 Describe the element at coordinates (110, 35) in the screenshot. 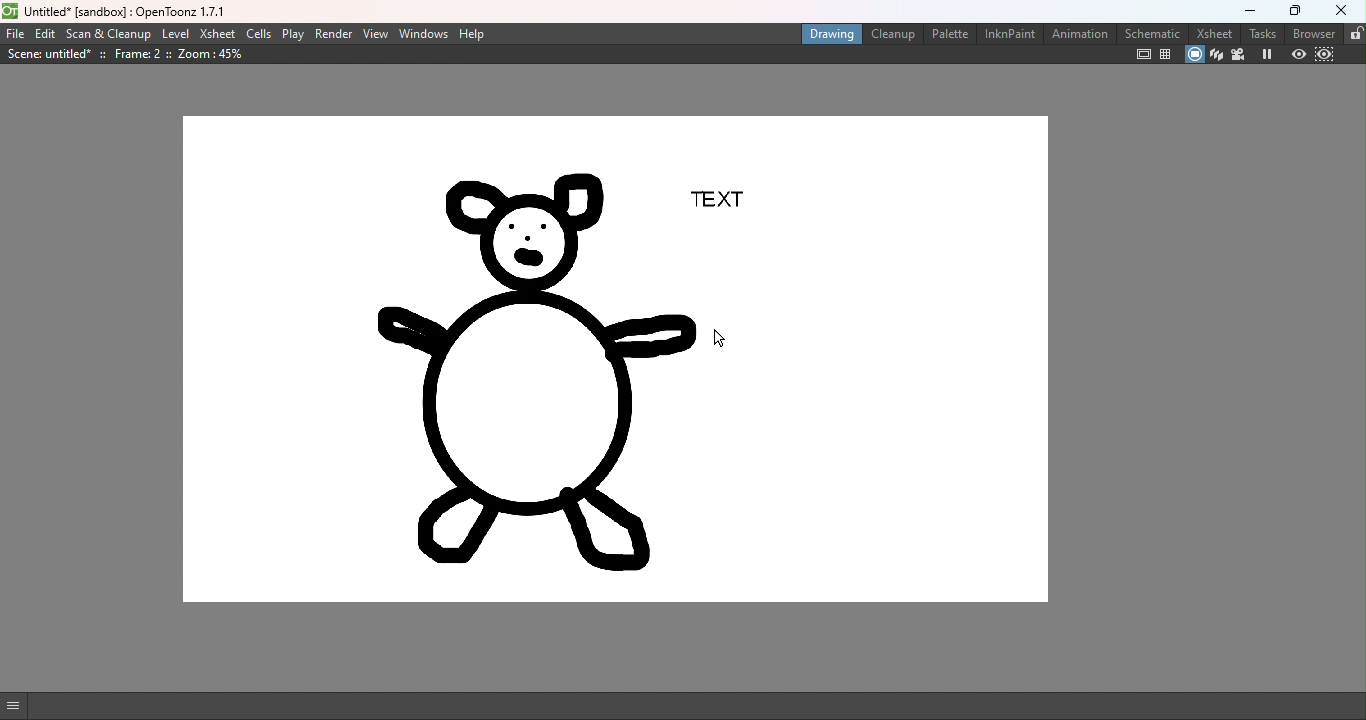

I see `Scan & Cleanup` at that location.